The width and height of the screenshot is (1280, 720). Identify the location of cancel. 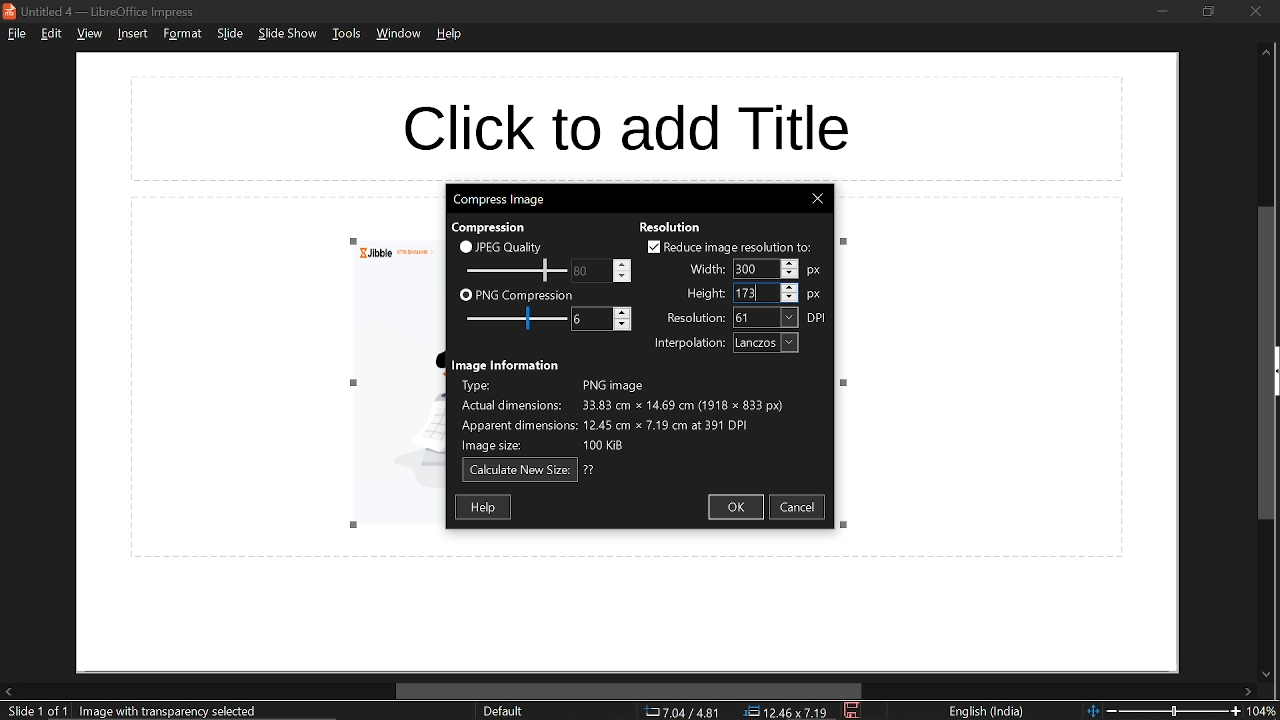
(801, 509).